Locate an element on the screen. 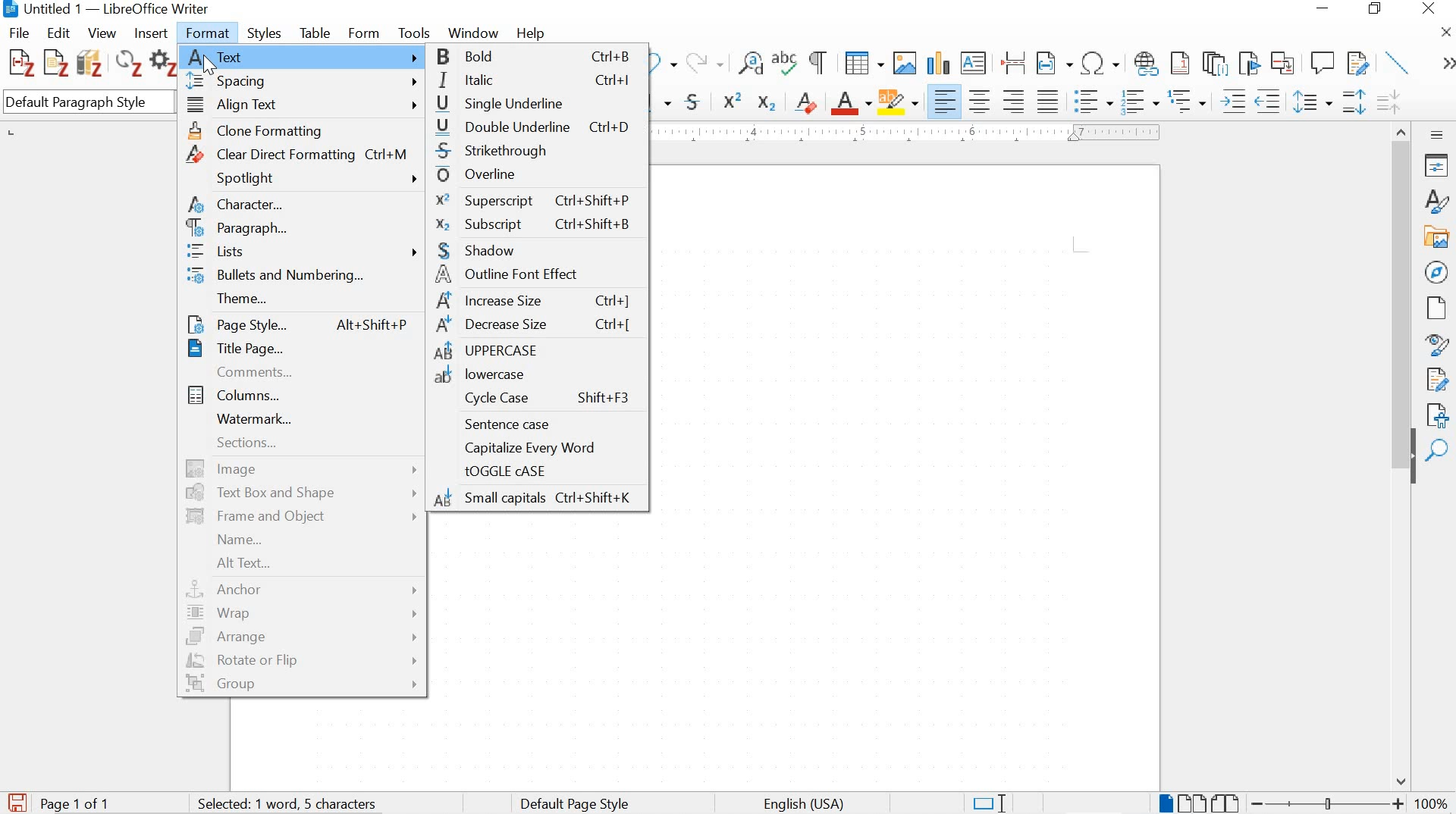 The width and height of the screenshot is (1456, 814). undo is located at coordinates (664, 64).